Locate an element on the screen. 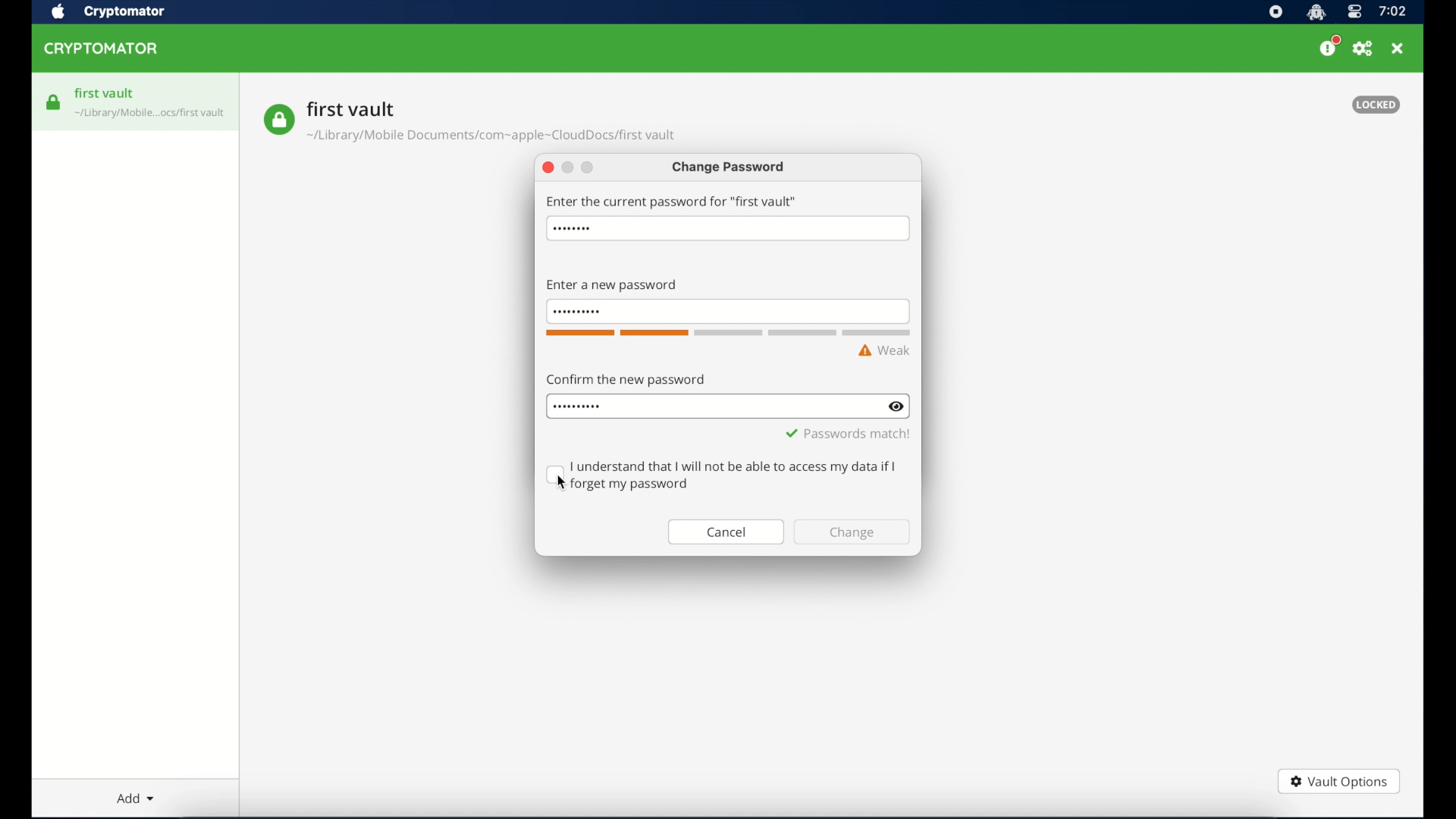 Image resolution: width=1456 pixels, height=819 pixels. crytptomator is located at coordinates (124, 13).